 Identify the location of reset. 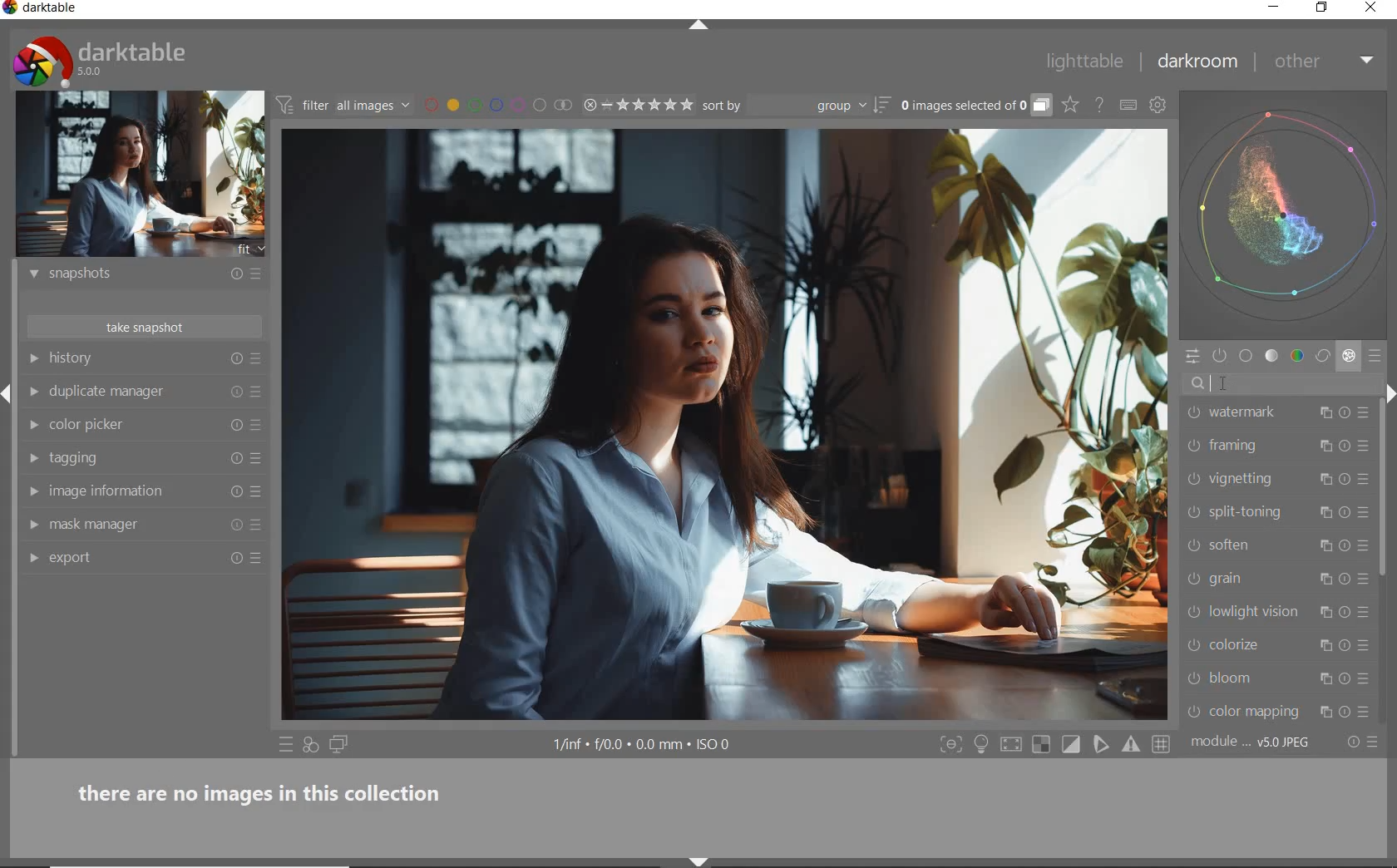
(236, 423).